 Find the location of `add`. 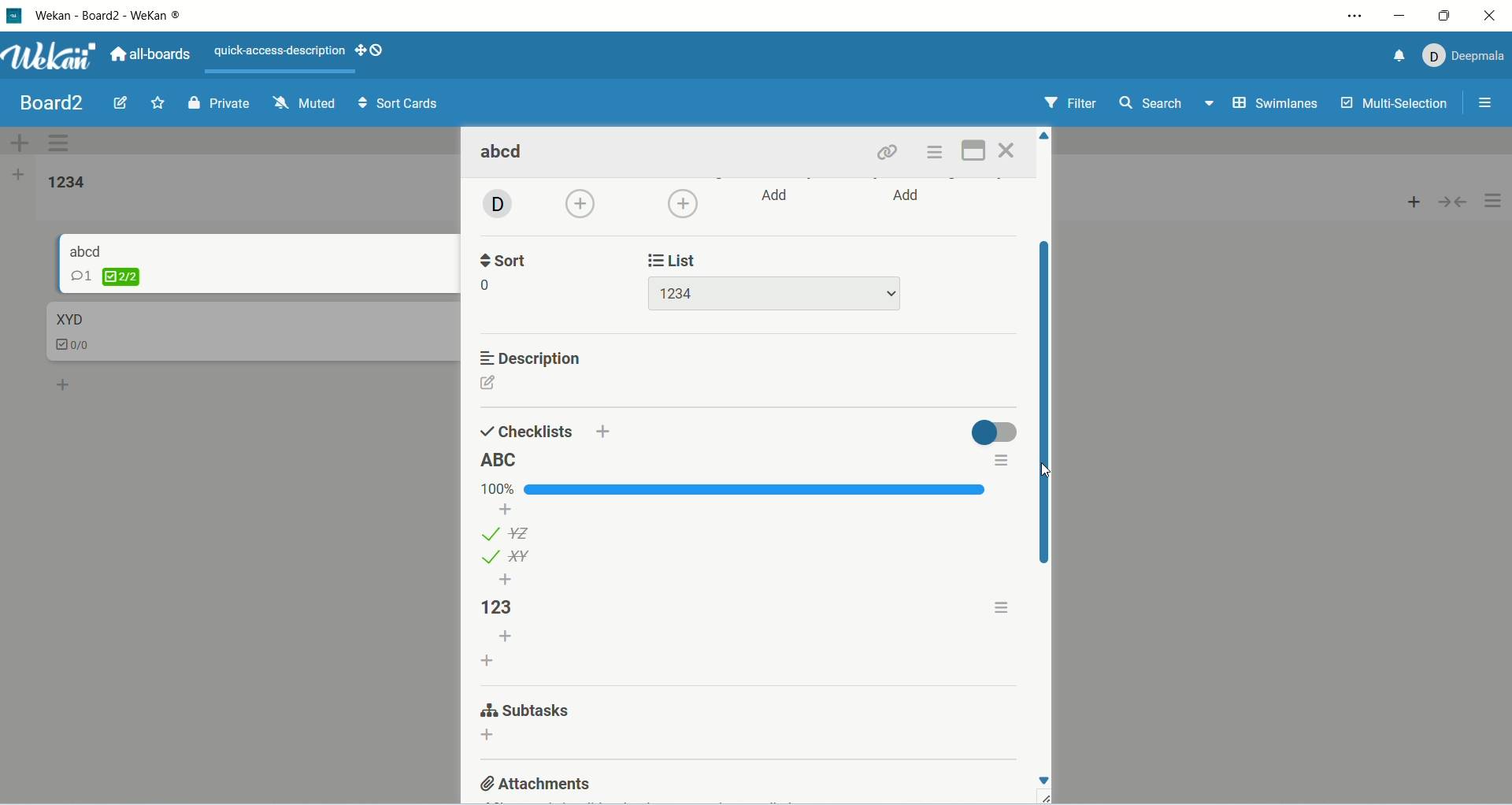

add is located at coordinates (65, 384).